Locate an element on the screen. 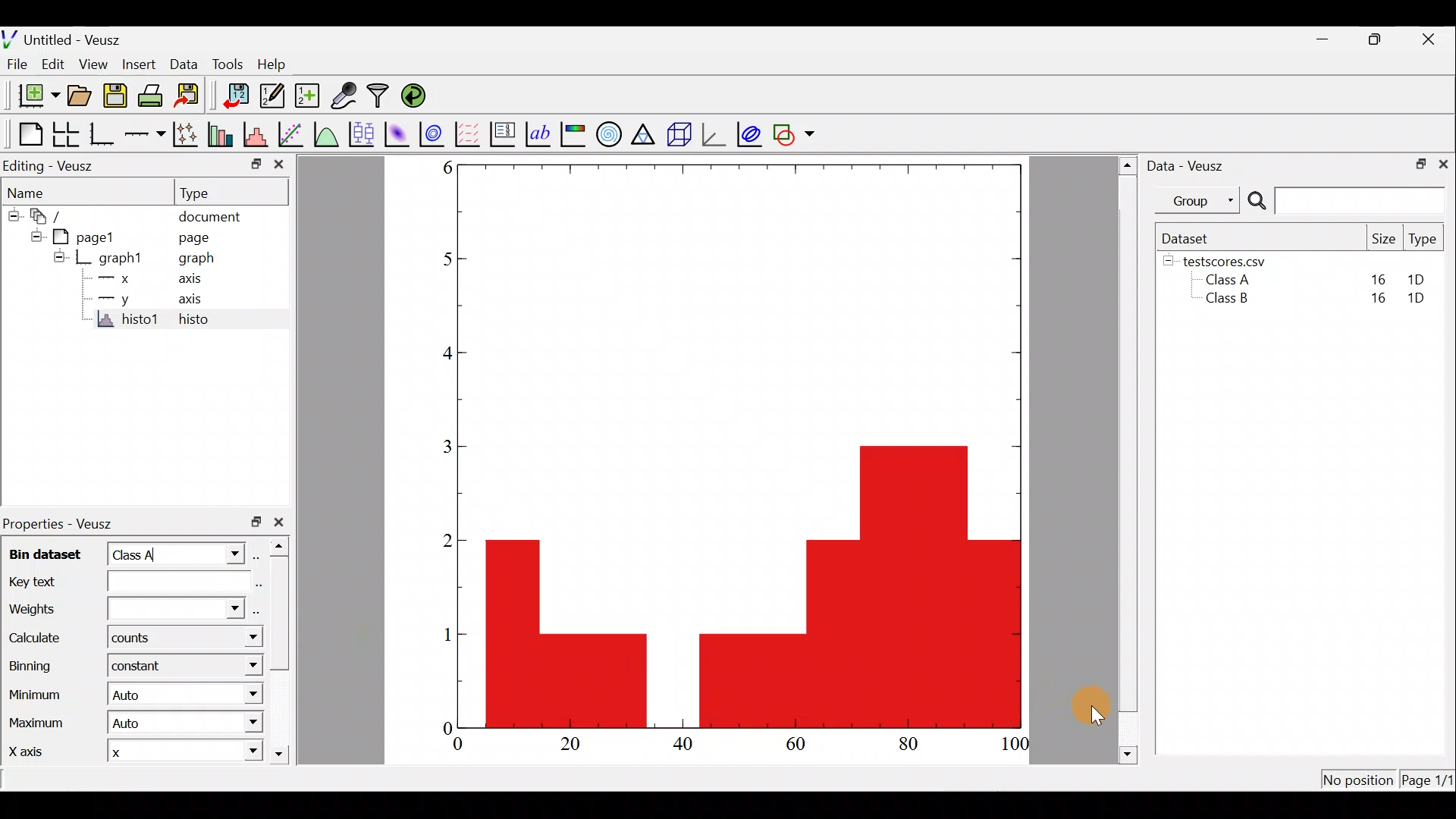  0 is located at coordinates (460, 745).